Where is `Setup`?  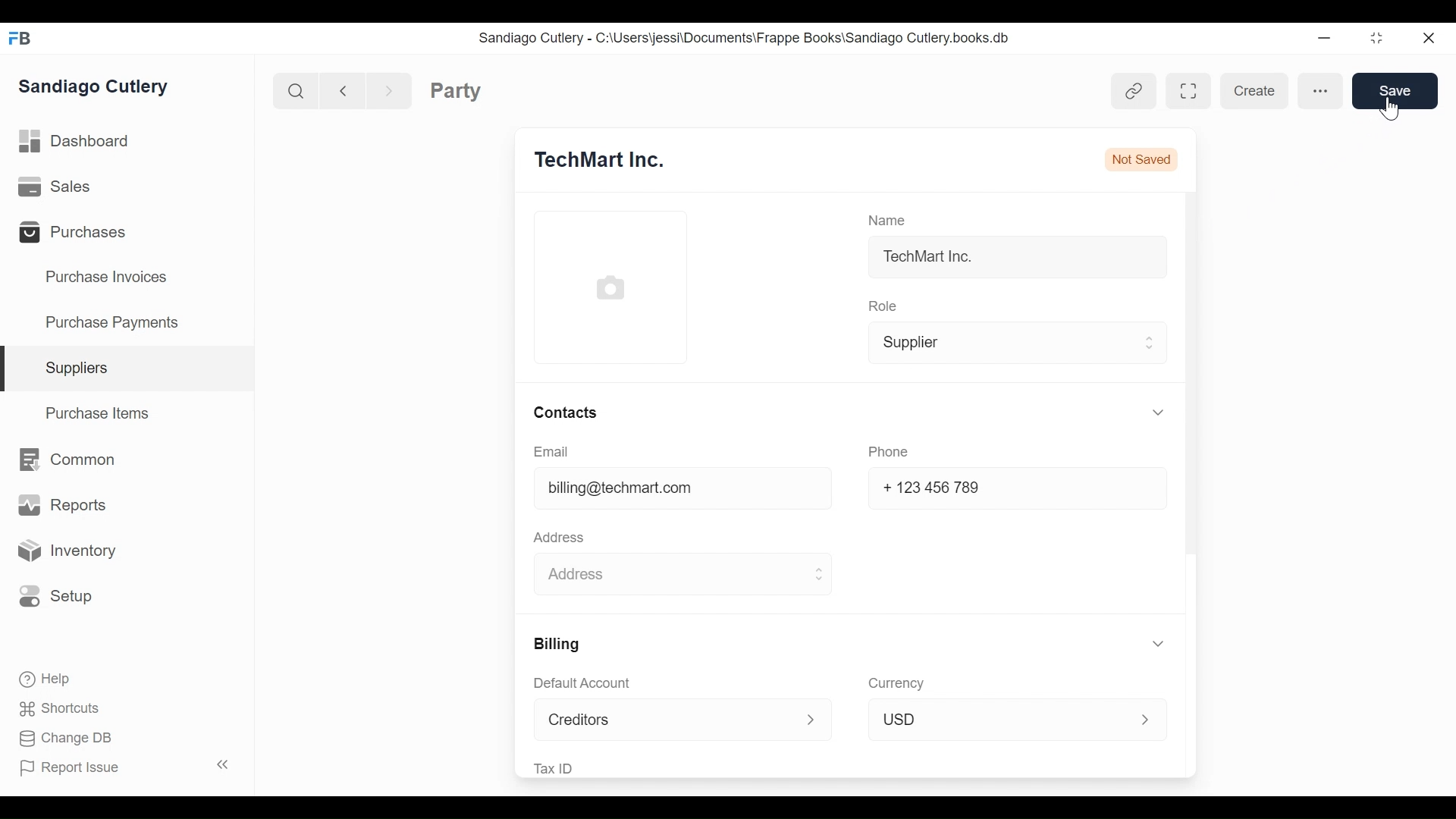 Setup is located at coordinates (63, 596).